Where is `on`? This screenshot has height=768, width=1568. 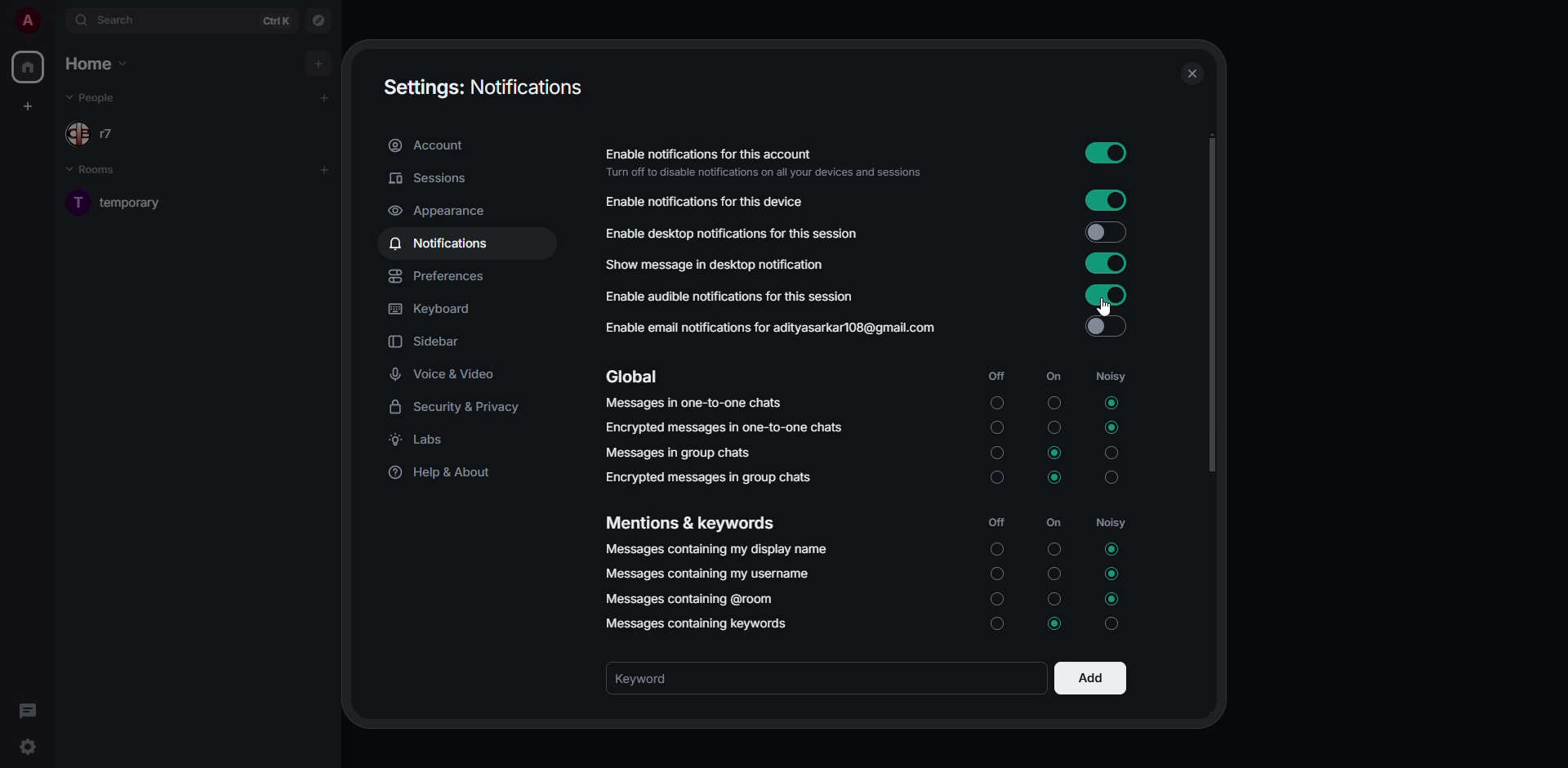
on is located at coordinates (1051, 377).